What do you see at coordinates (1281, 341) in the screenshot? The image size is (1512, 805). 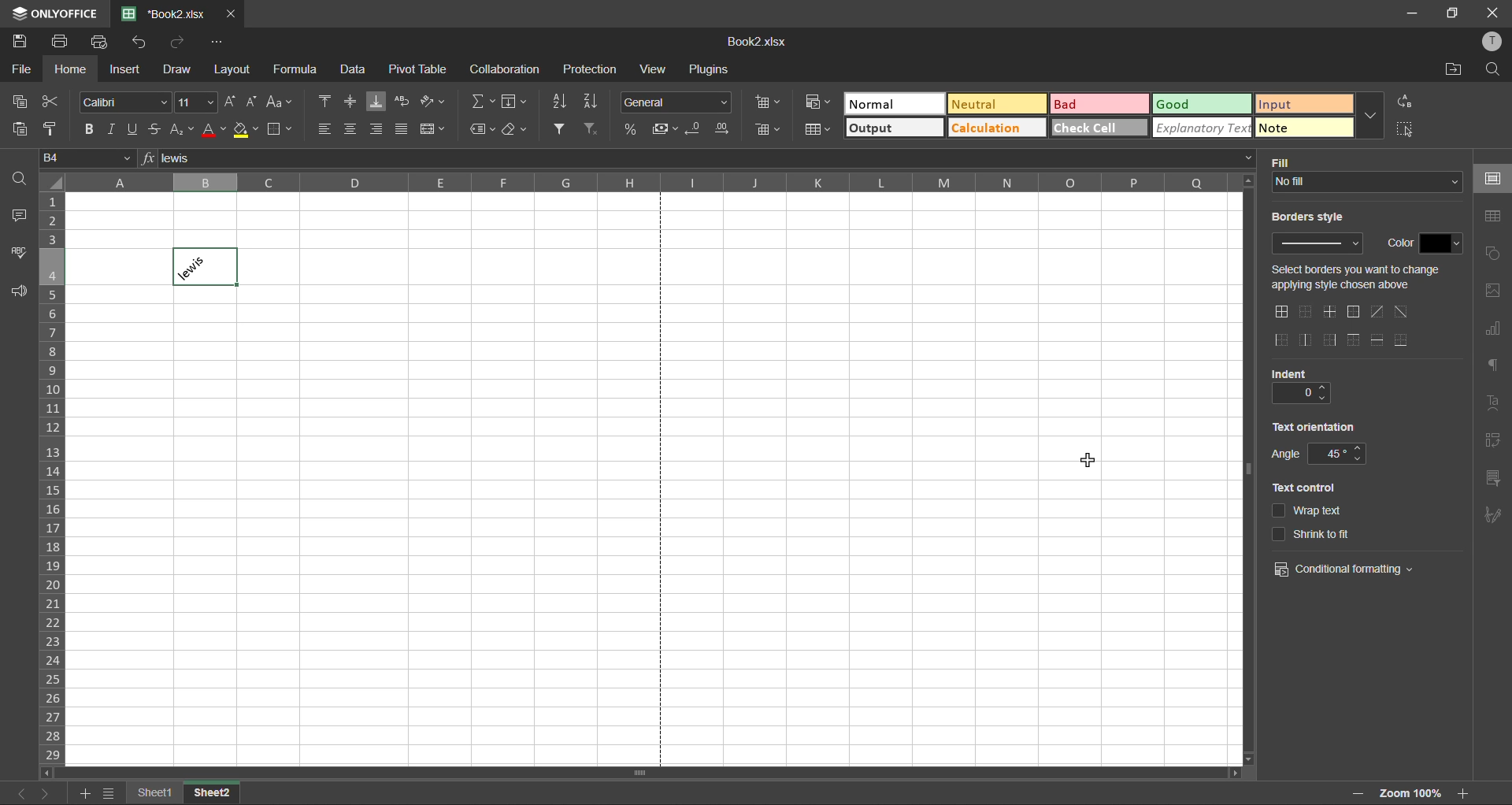 I see `outside left border` at bounding box center [1281, 341].